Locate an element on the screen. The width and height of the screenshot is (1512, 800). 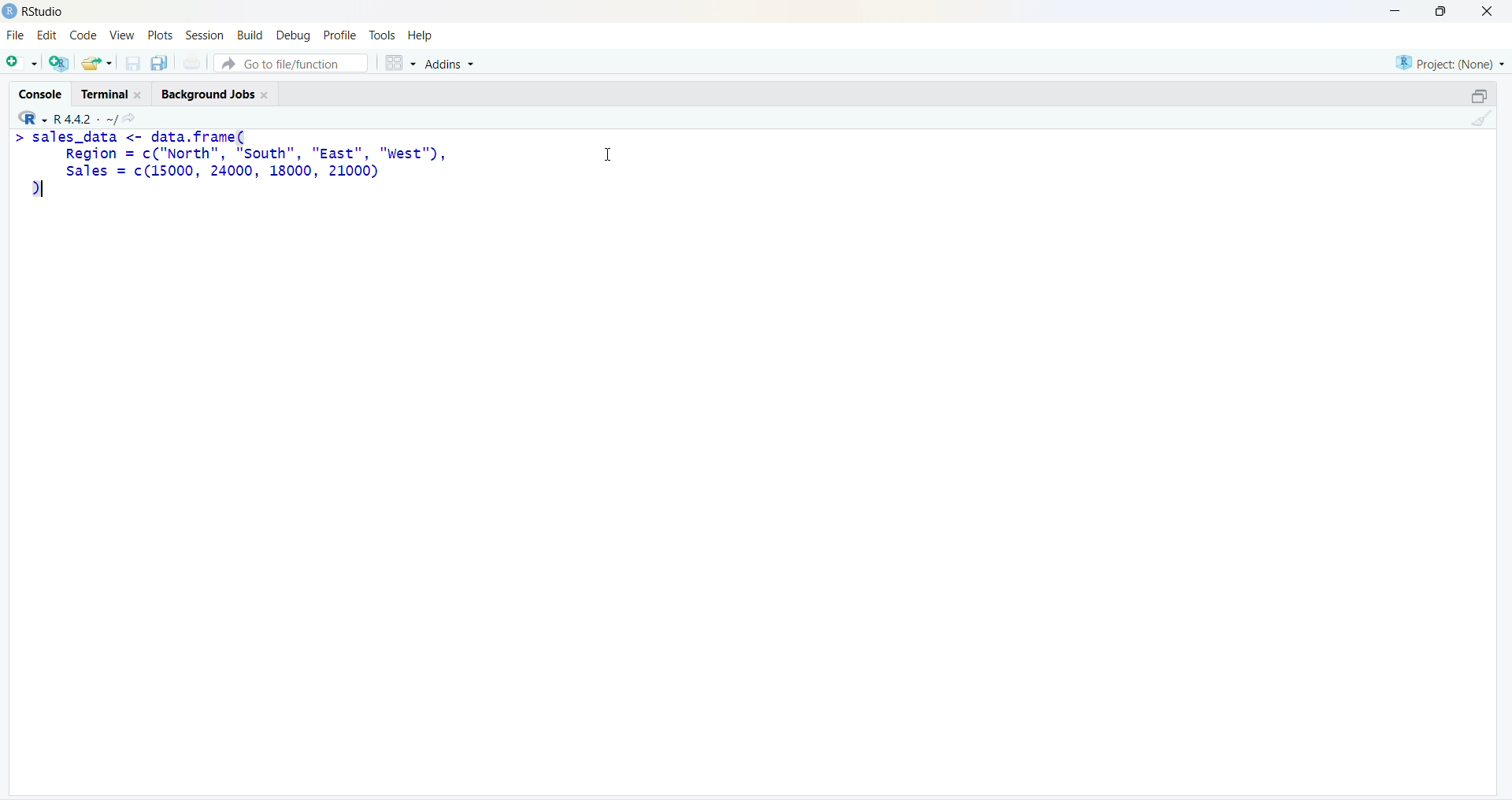
cursor is located at coordinates (602, 159).